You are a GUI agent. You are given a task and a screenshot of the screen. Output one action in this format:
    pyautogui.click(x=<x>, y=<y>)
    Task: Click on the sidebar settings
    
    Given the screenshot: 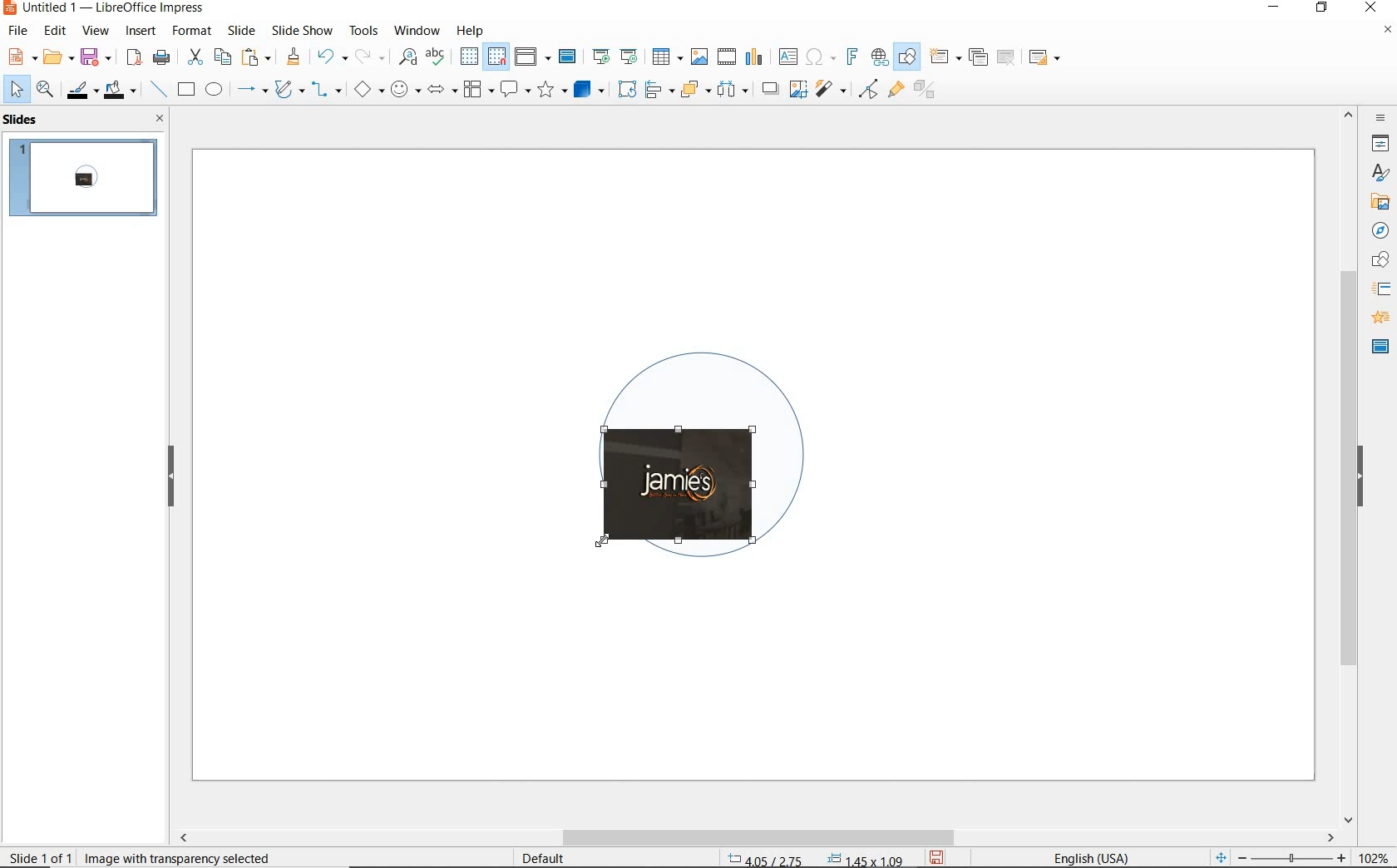 What is the action you would take?
    pyautogui.click(x=1379, y=118)
    